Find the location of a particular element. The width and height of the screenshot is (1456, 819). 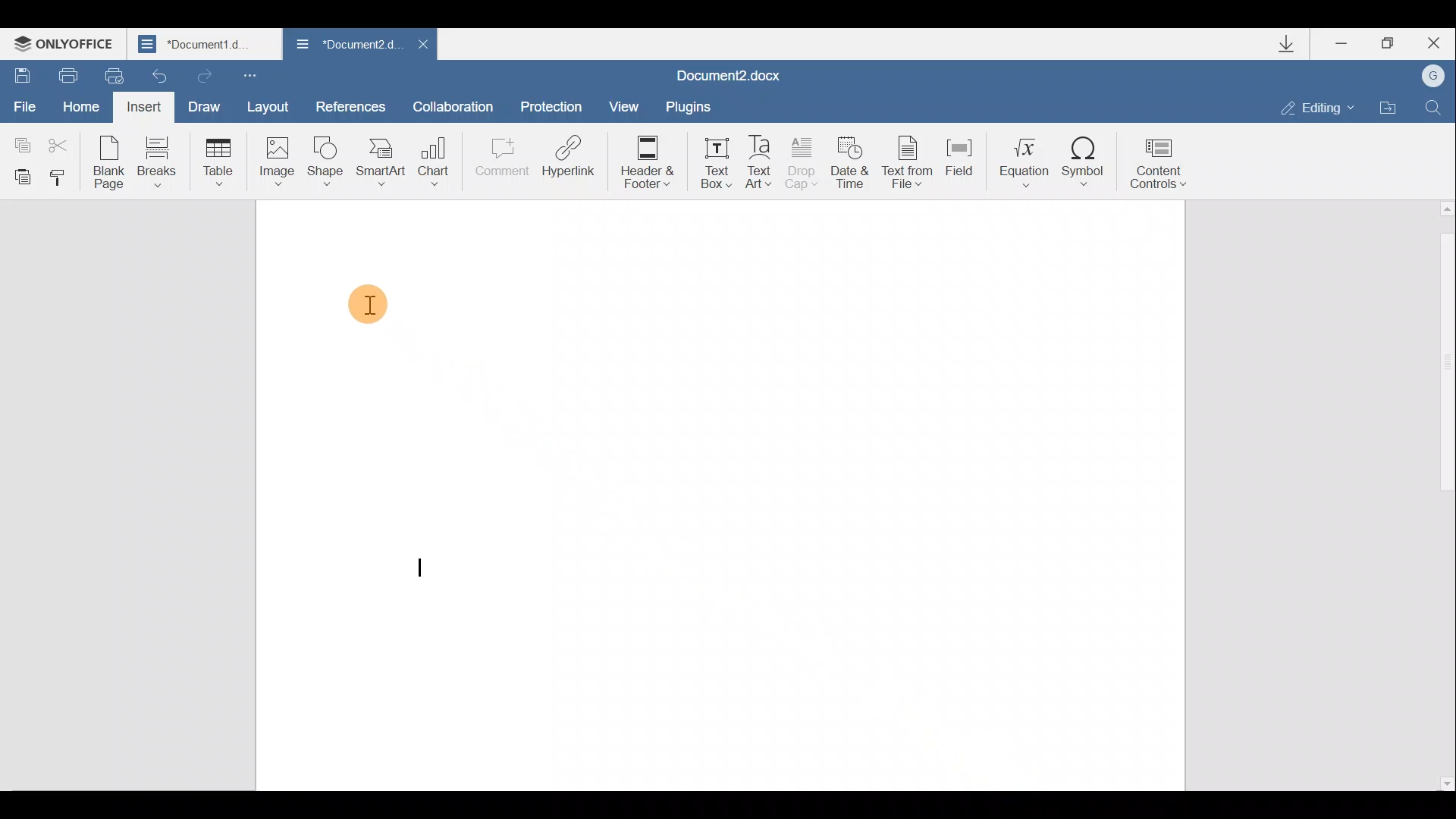

Breaks is located at coordinates (158, 161).